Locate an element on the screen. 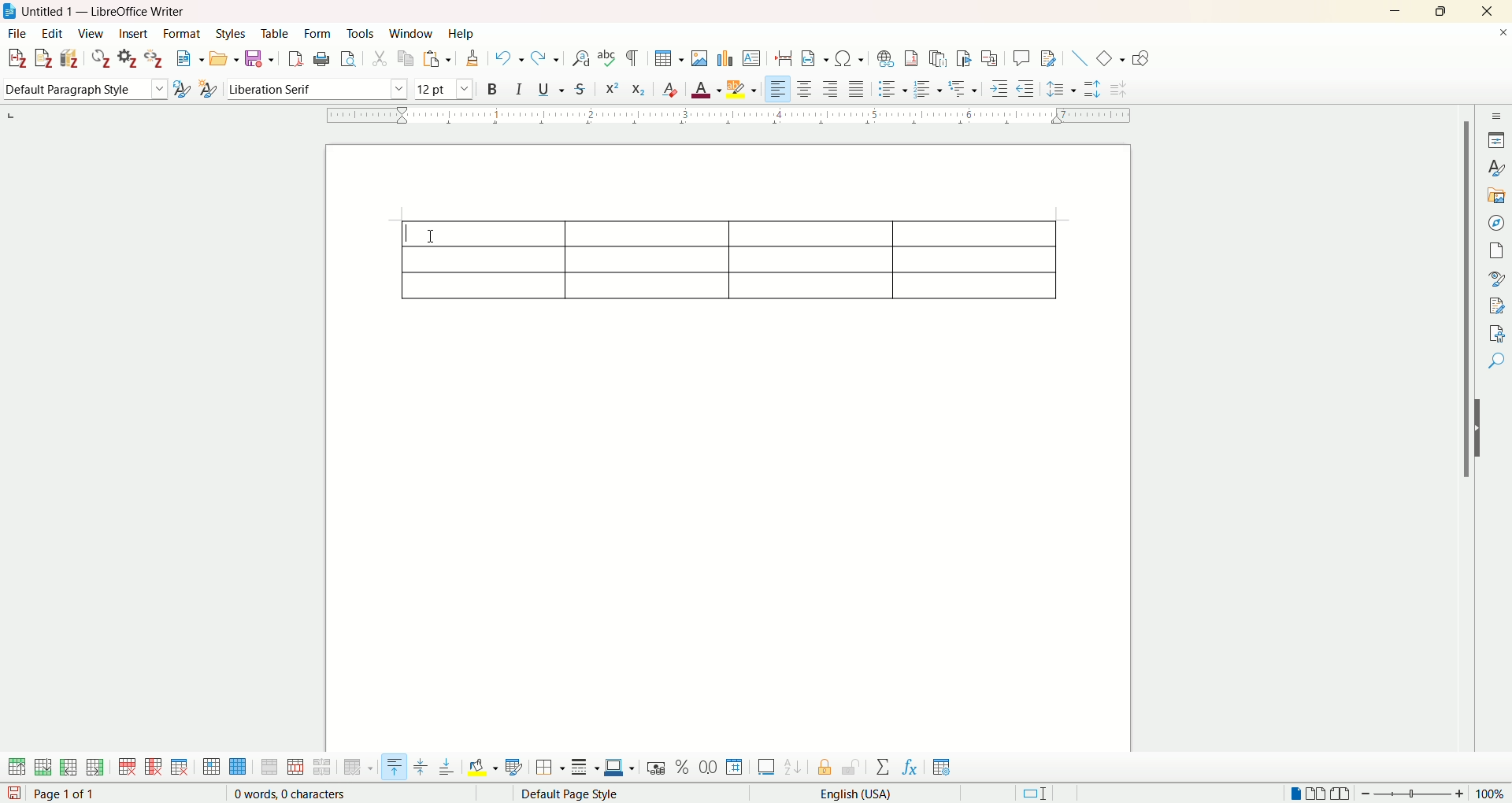  close is located at coordinates (1484, 10).